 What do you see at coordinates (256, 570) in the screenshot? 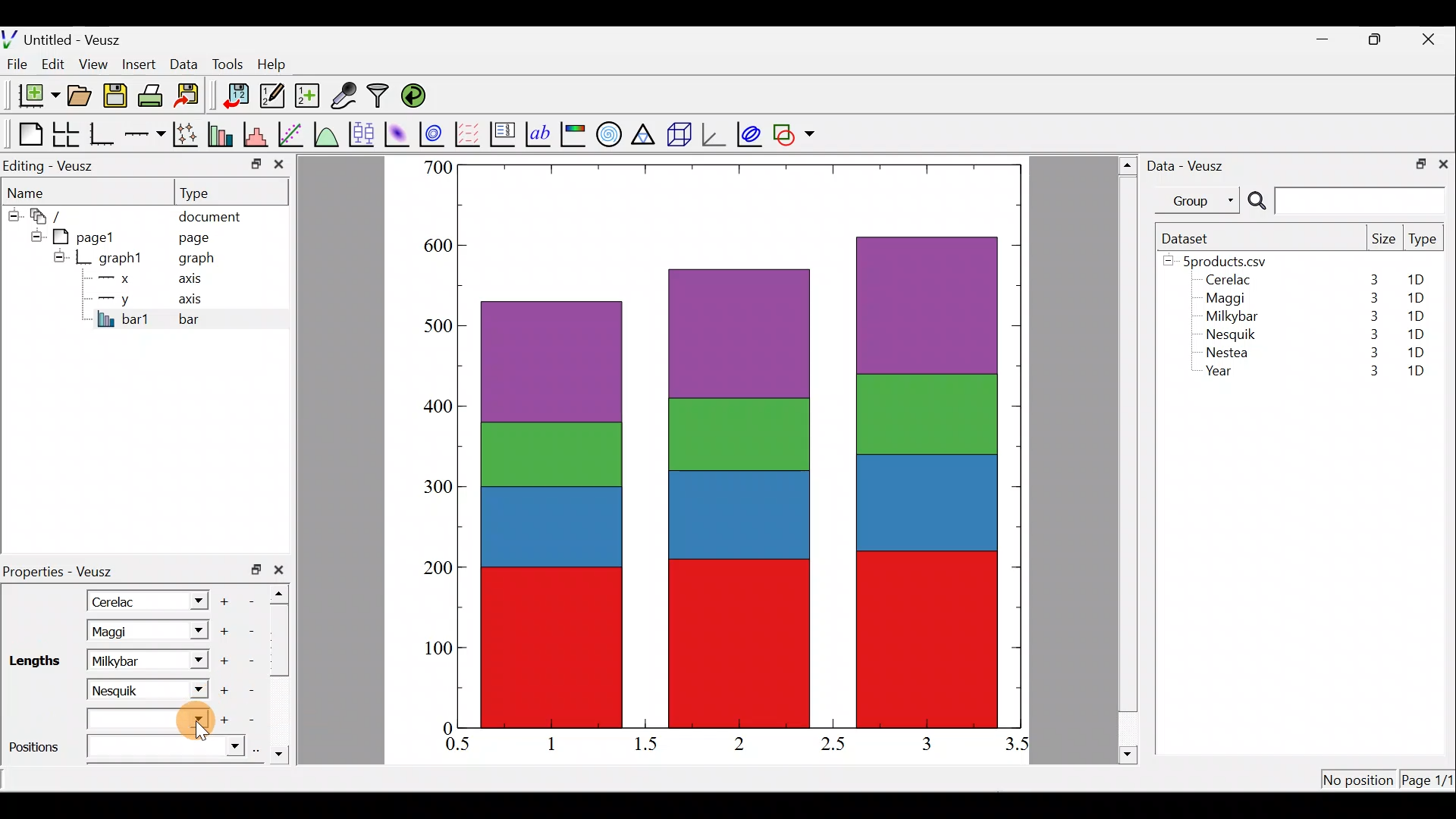
I see `restore down` at bounding box center [256, 570].